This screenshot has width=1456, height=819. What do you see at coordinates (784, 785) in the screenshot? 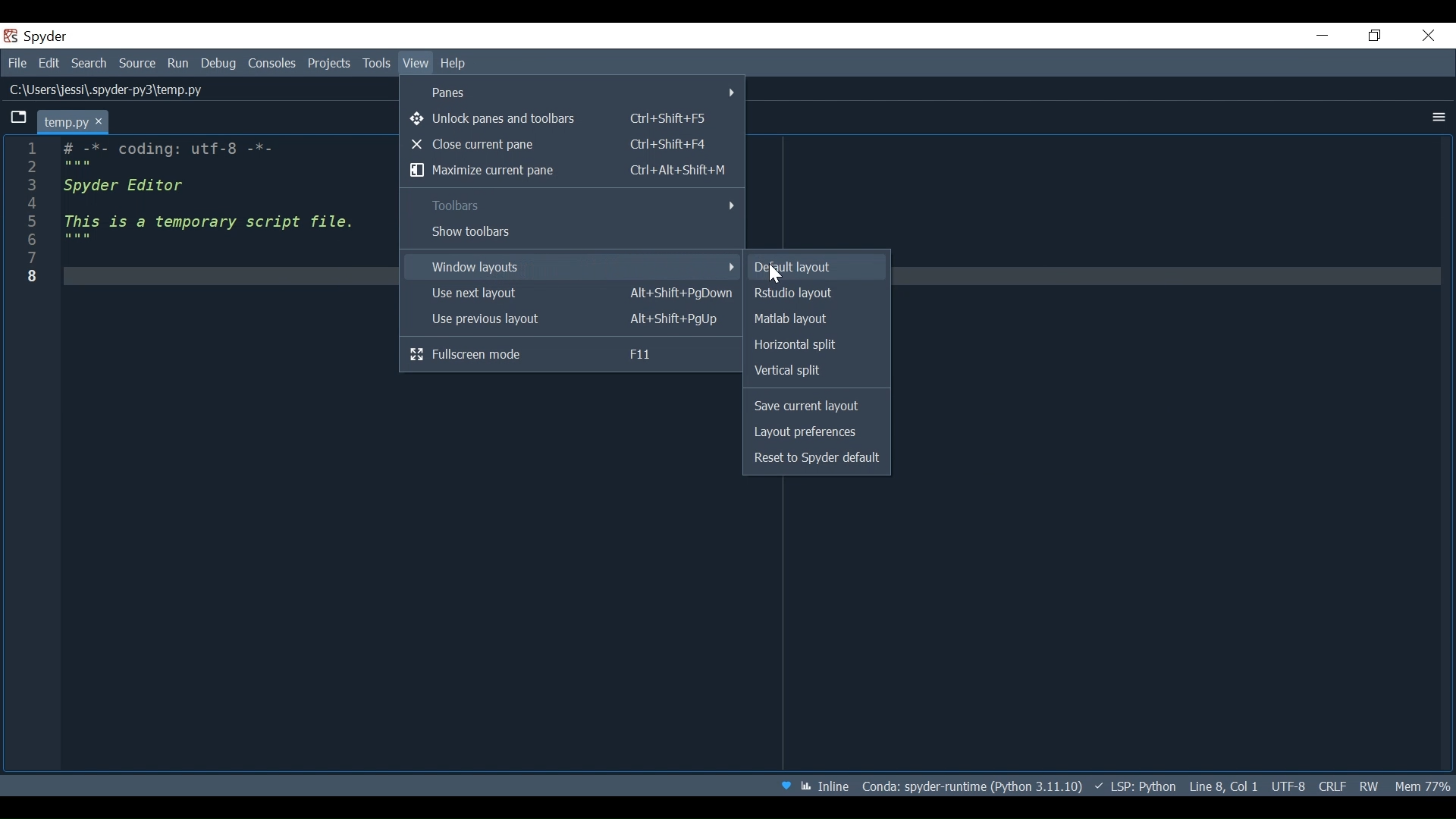
I see `Help Spyder` at bounding box center [784, 785].